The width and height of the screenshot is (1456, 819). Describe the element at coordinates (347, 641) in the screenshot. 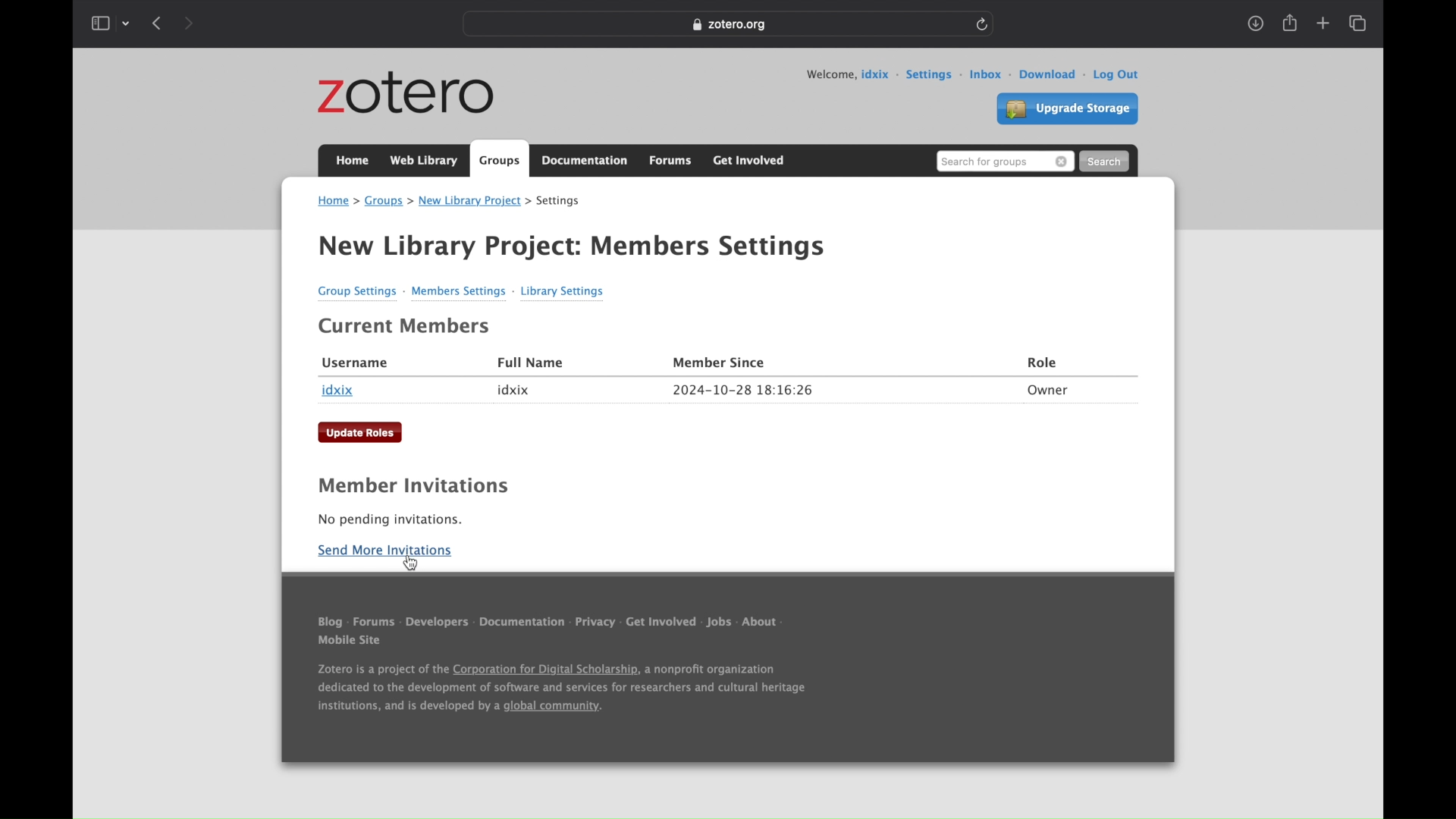

I see `mobile site` at that location.